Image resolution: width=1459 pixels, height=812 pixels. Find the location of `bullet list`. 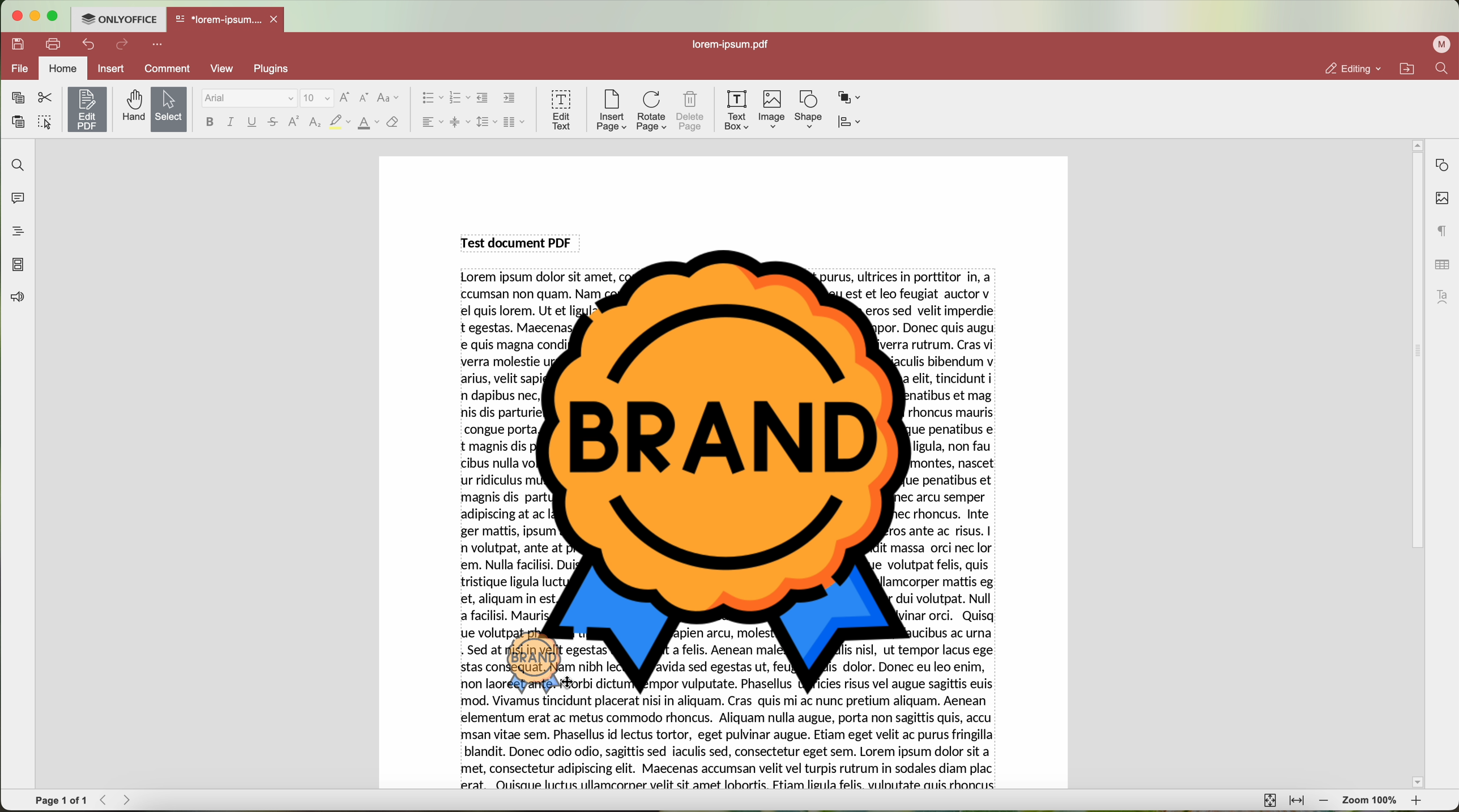

bullet list is located at coordinates (429, 99).